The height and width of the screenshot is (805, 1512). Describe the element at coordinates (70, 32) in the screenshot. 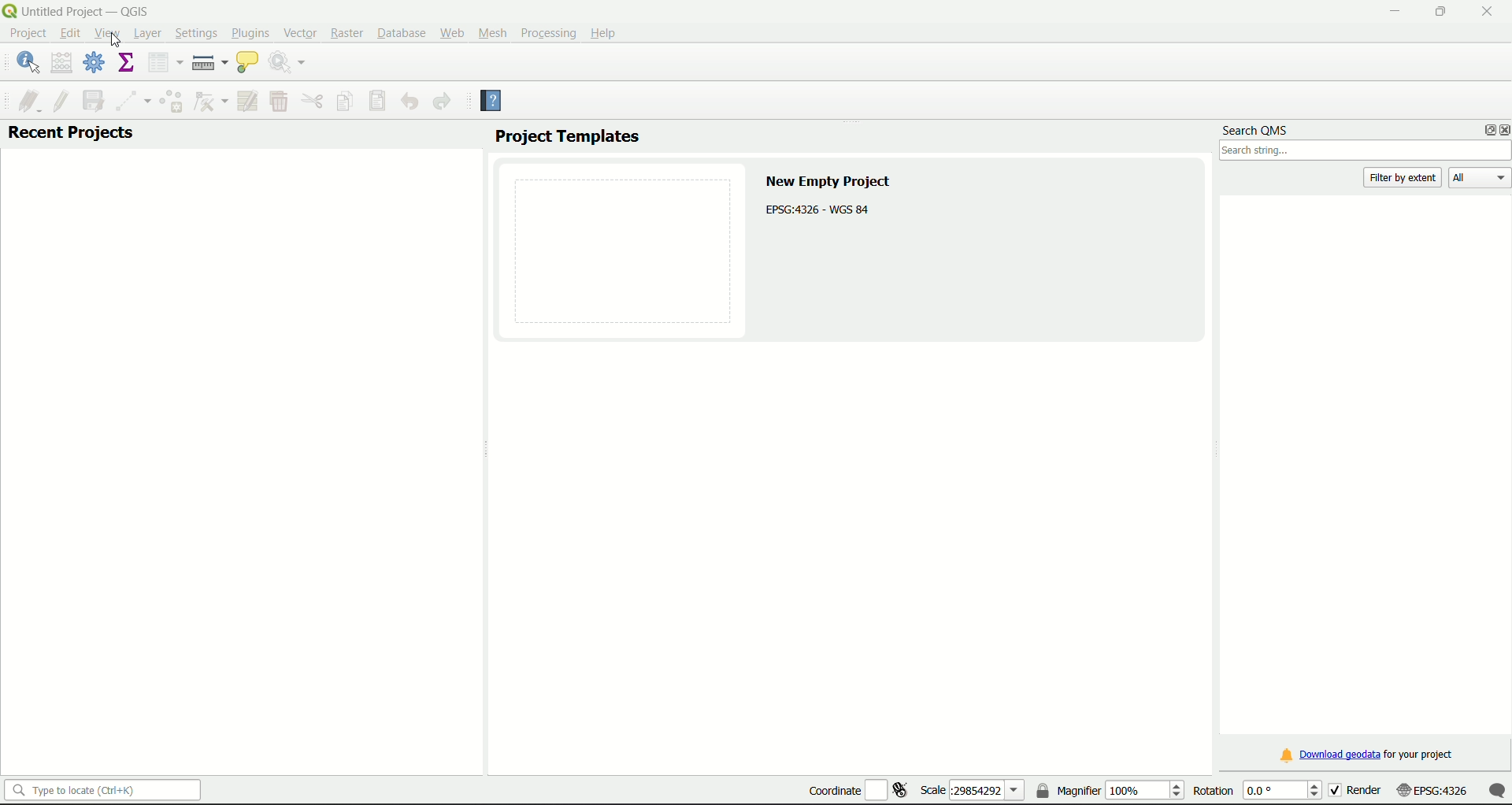

I see `edit` at that location.